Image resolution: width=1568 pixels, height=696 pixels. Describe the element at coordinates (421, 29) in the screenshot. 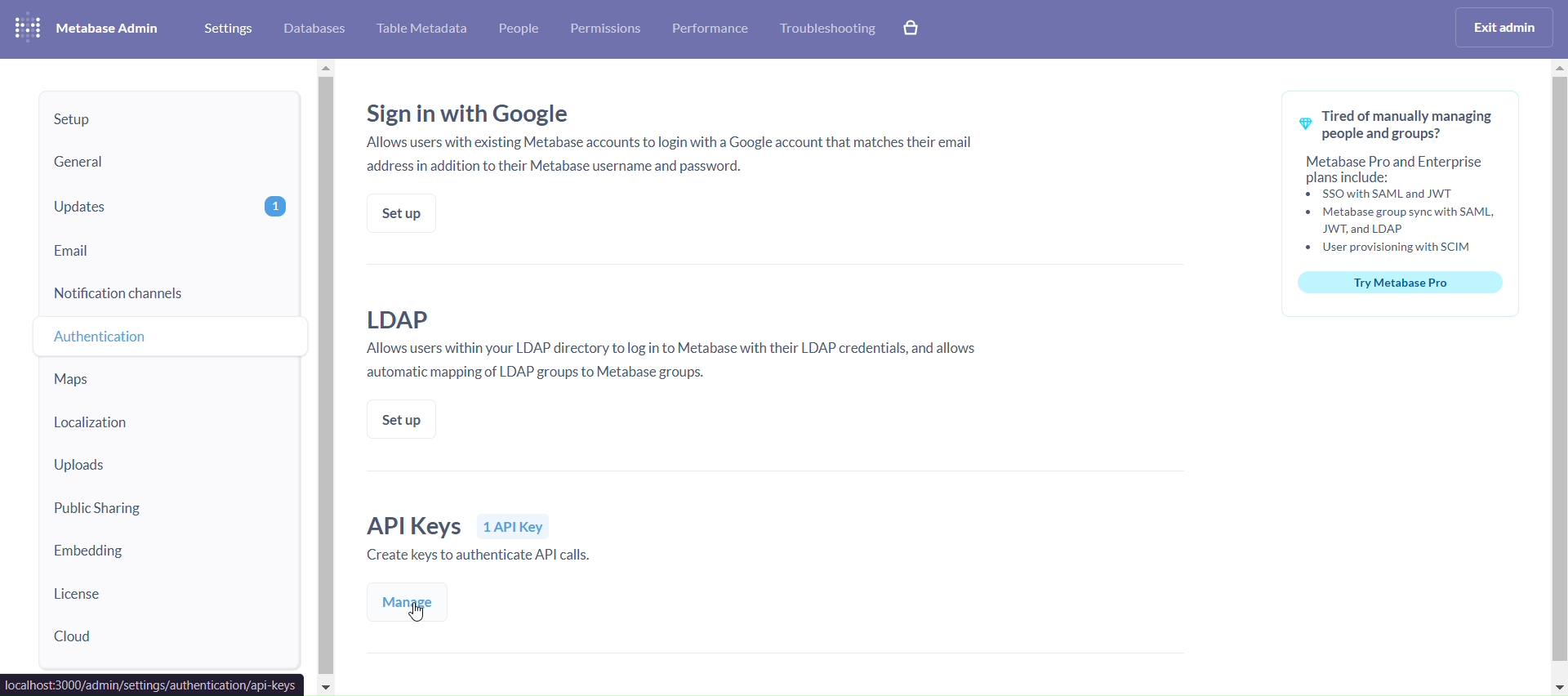

I see `table metabase` at that location.